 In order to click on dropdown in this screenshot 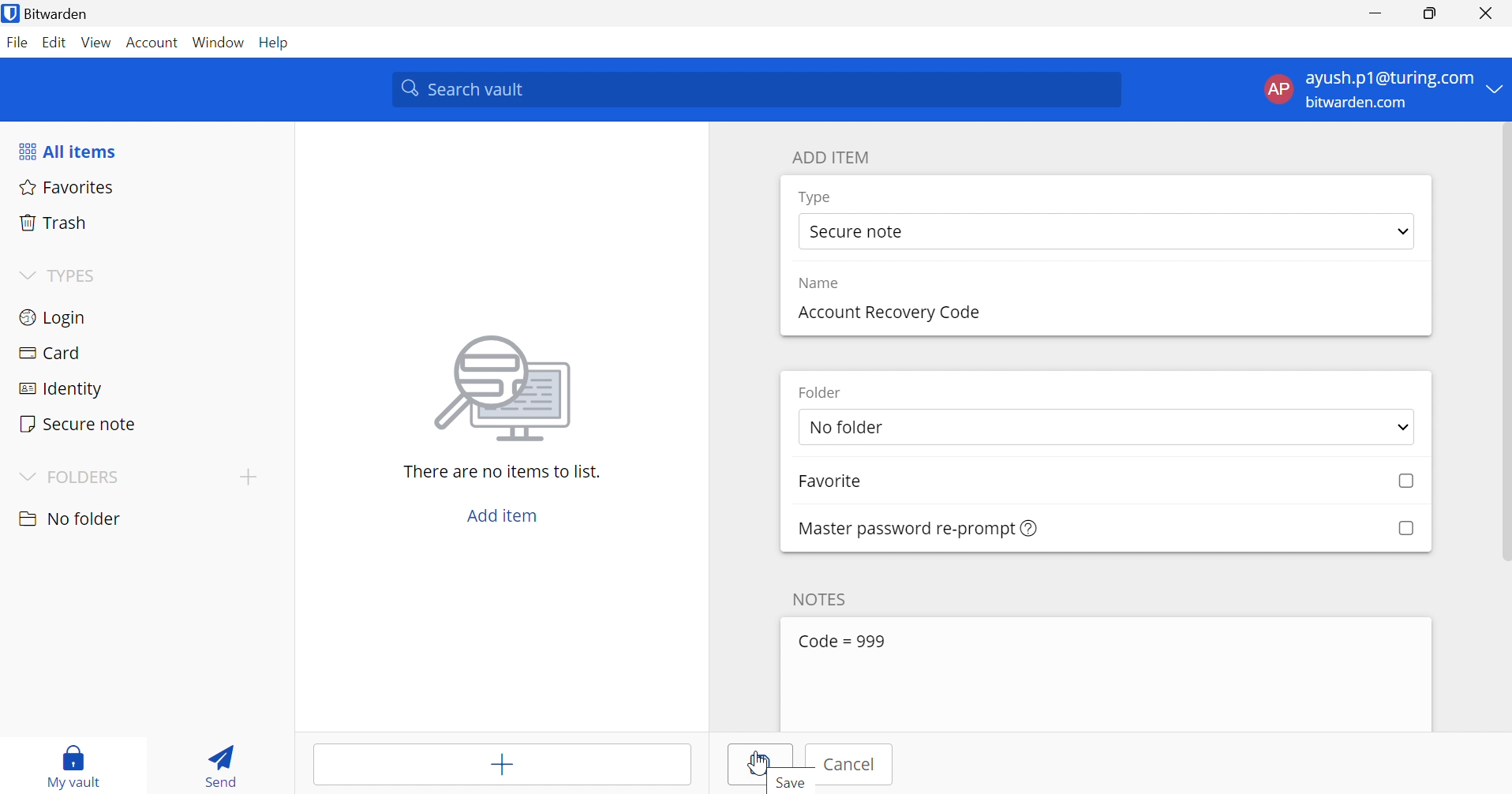, I will do `click(1398, 427)`.